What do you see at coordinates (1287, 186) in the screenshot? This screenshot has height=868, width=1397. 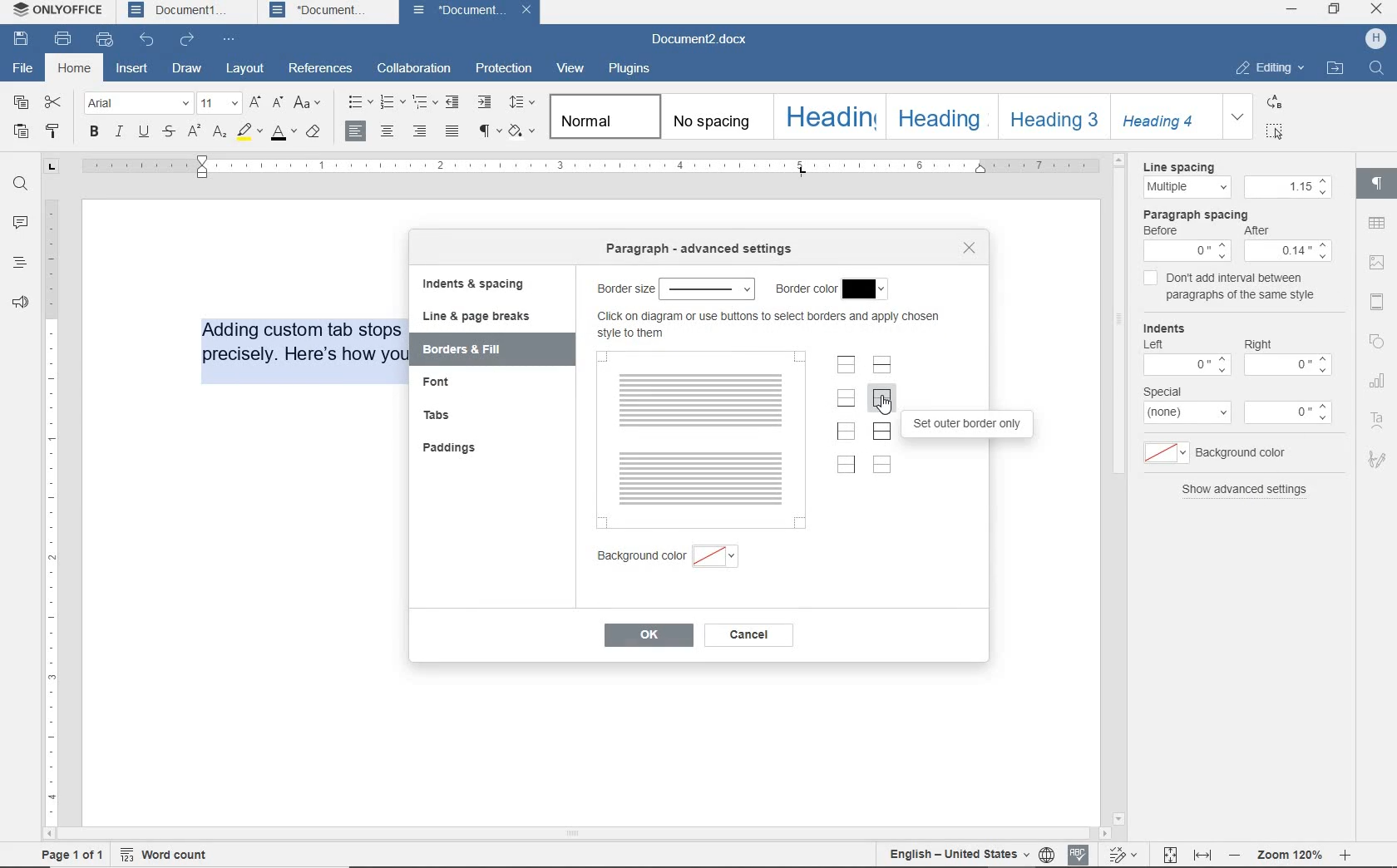 I see `menu` at bounding box center [1287, 186].